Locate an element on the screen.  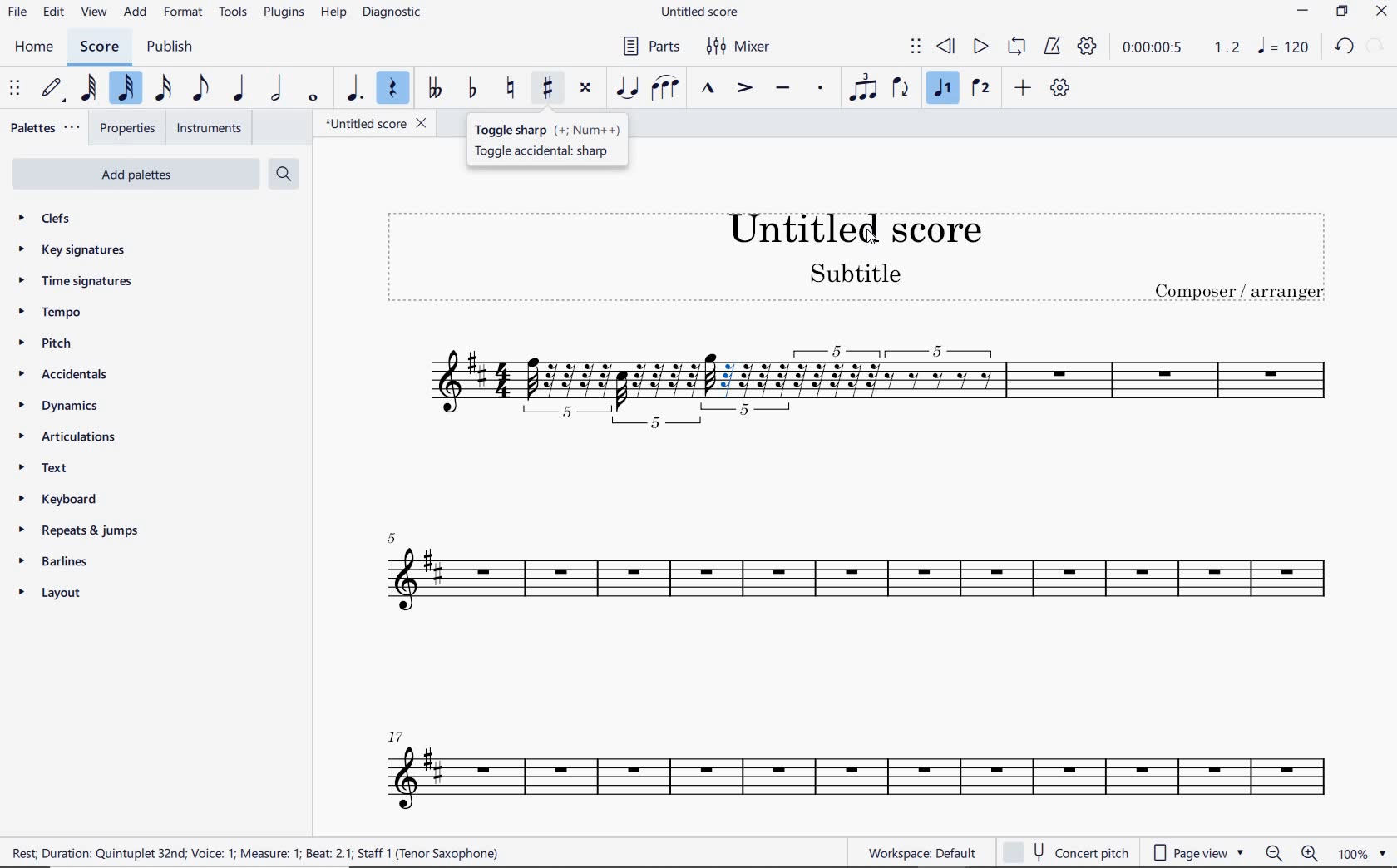
TOGGLE FLAT is located at coordinates (473, 89).